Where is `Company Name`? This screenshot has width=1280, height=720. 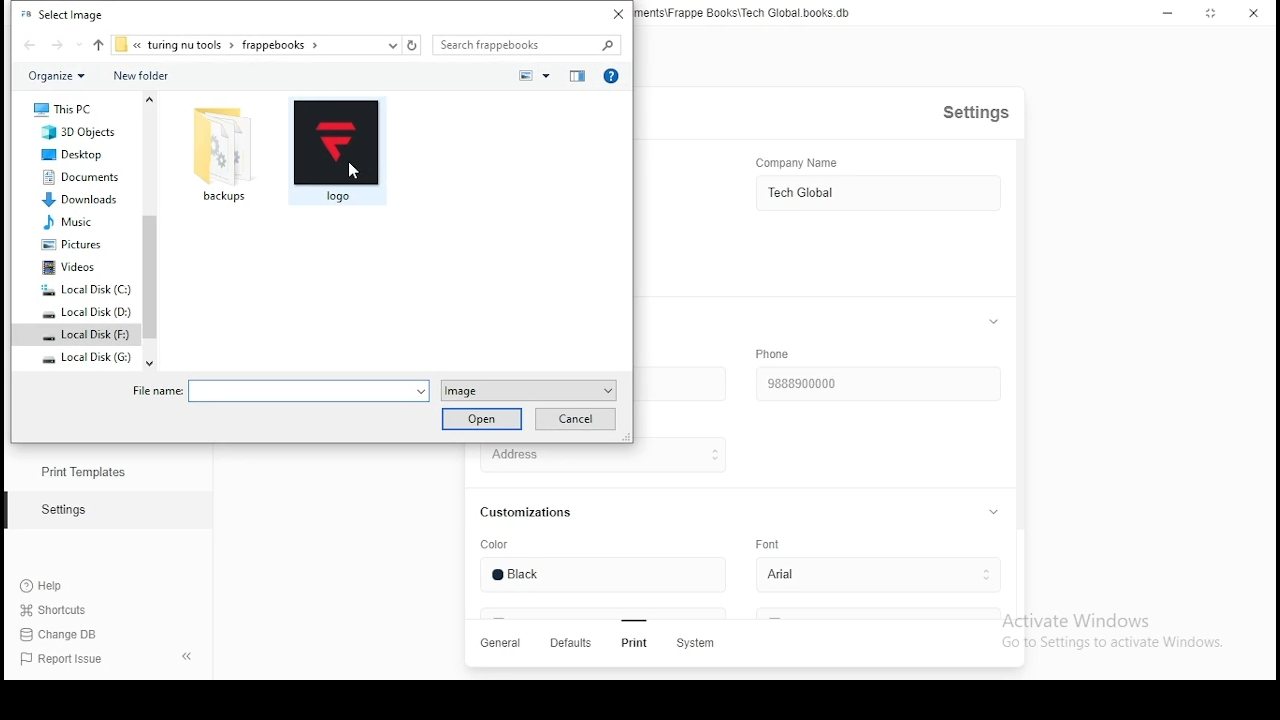
Company Name is located at coordinates (828, 163).